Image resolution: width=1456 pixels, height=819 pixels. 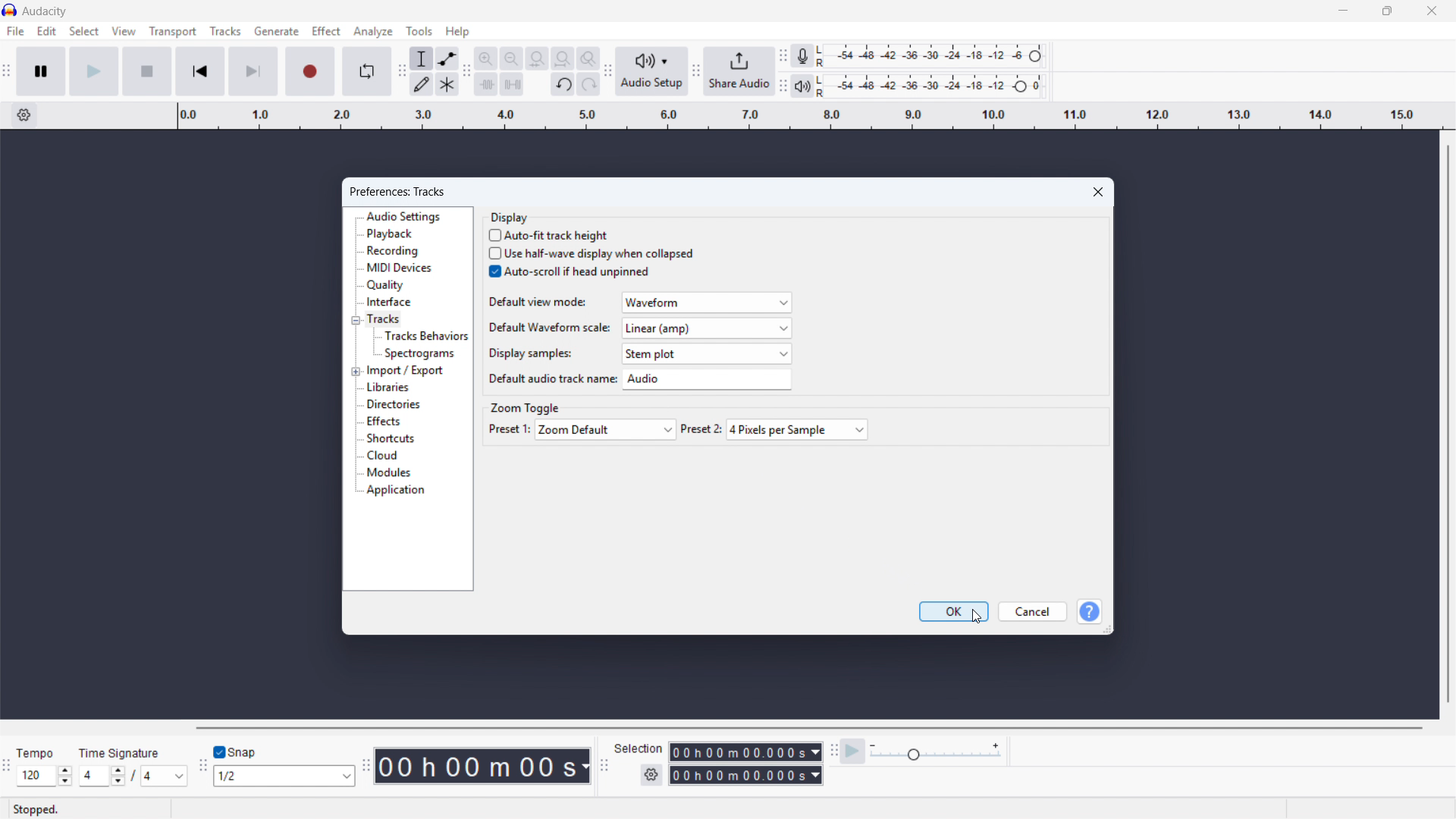 I want to click on expand, so click(x=356, y=371).